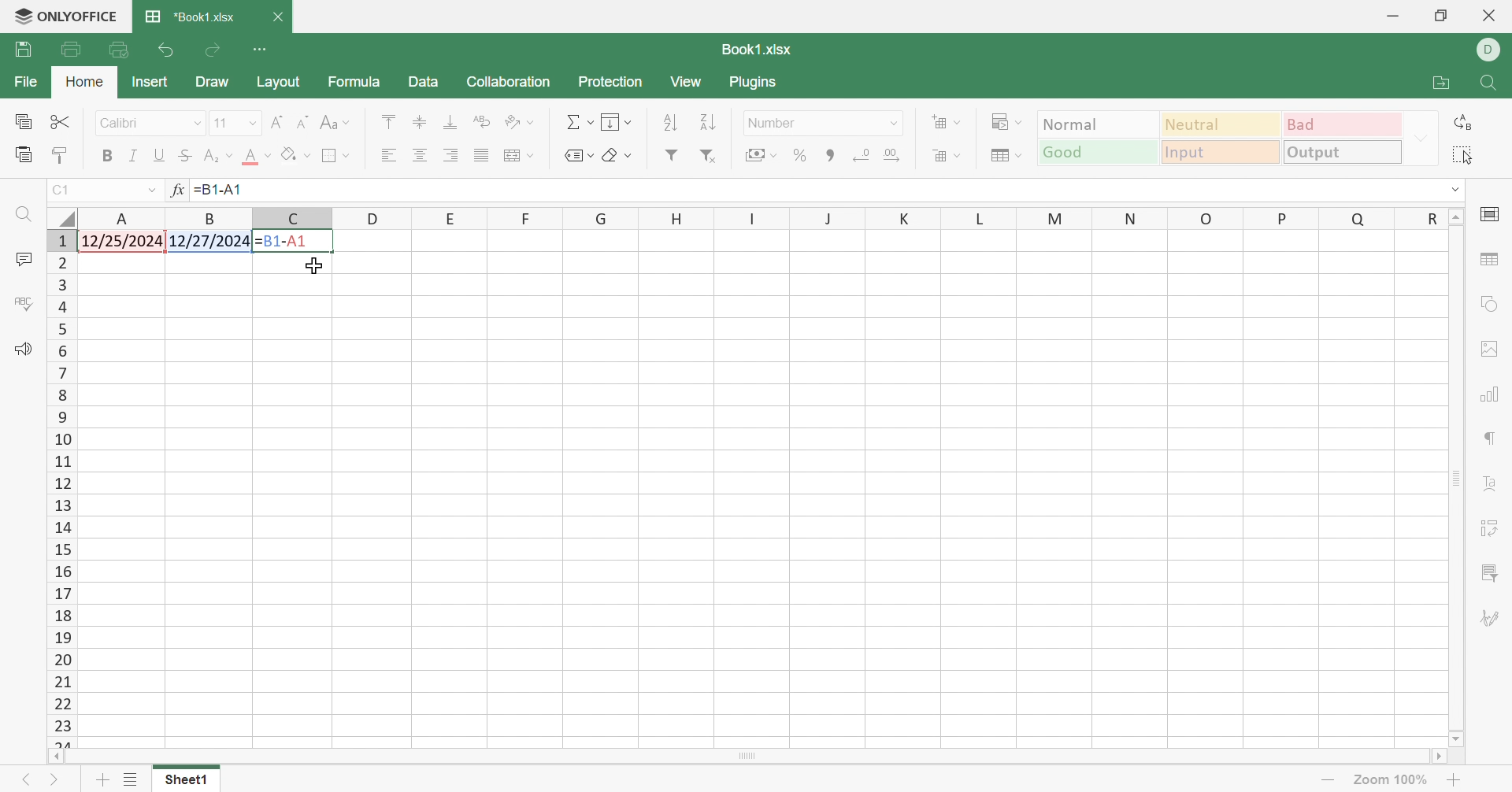 This screenshot has width=1512, height=792. What do you see at coordinates (1331, 779) in the screenshot?
I see `Zoom Out` at bounding box center [1331, 779].